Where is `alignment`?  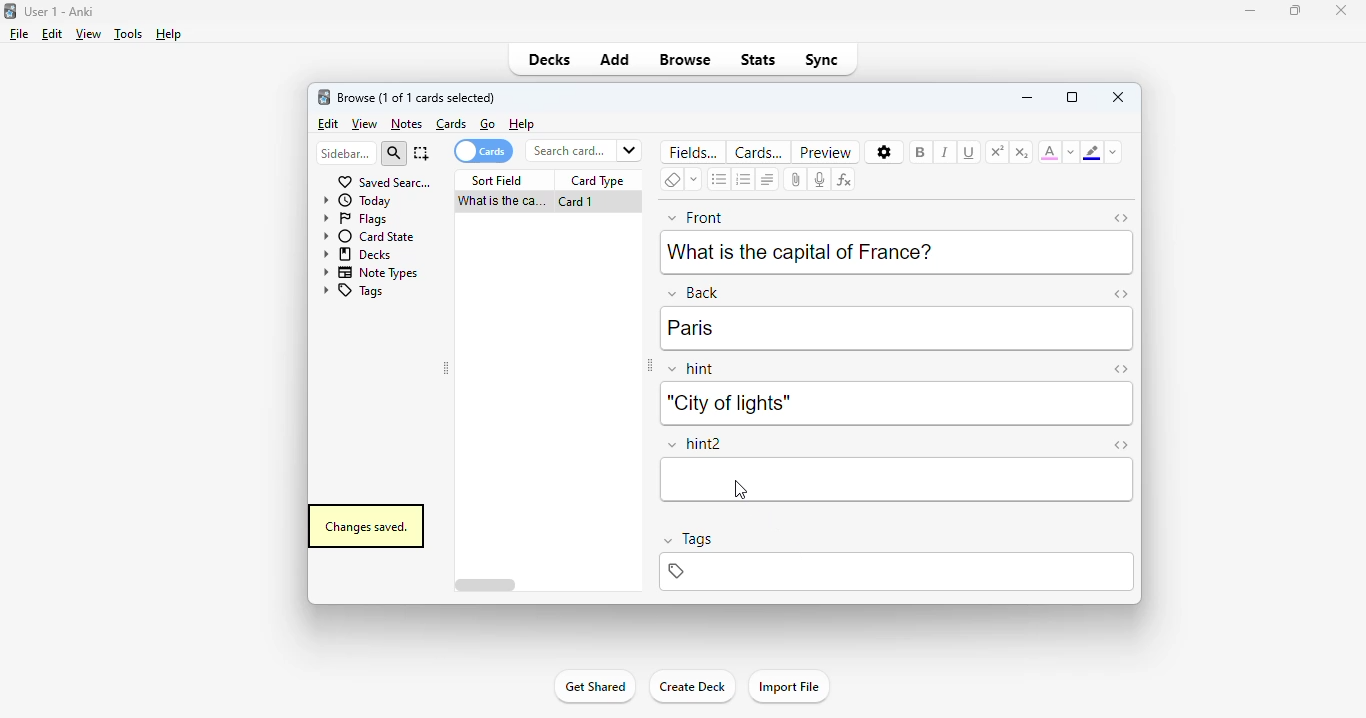
alignment is located at coordinates (767, 180).